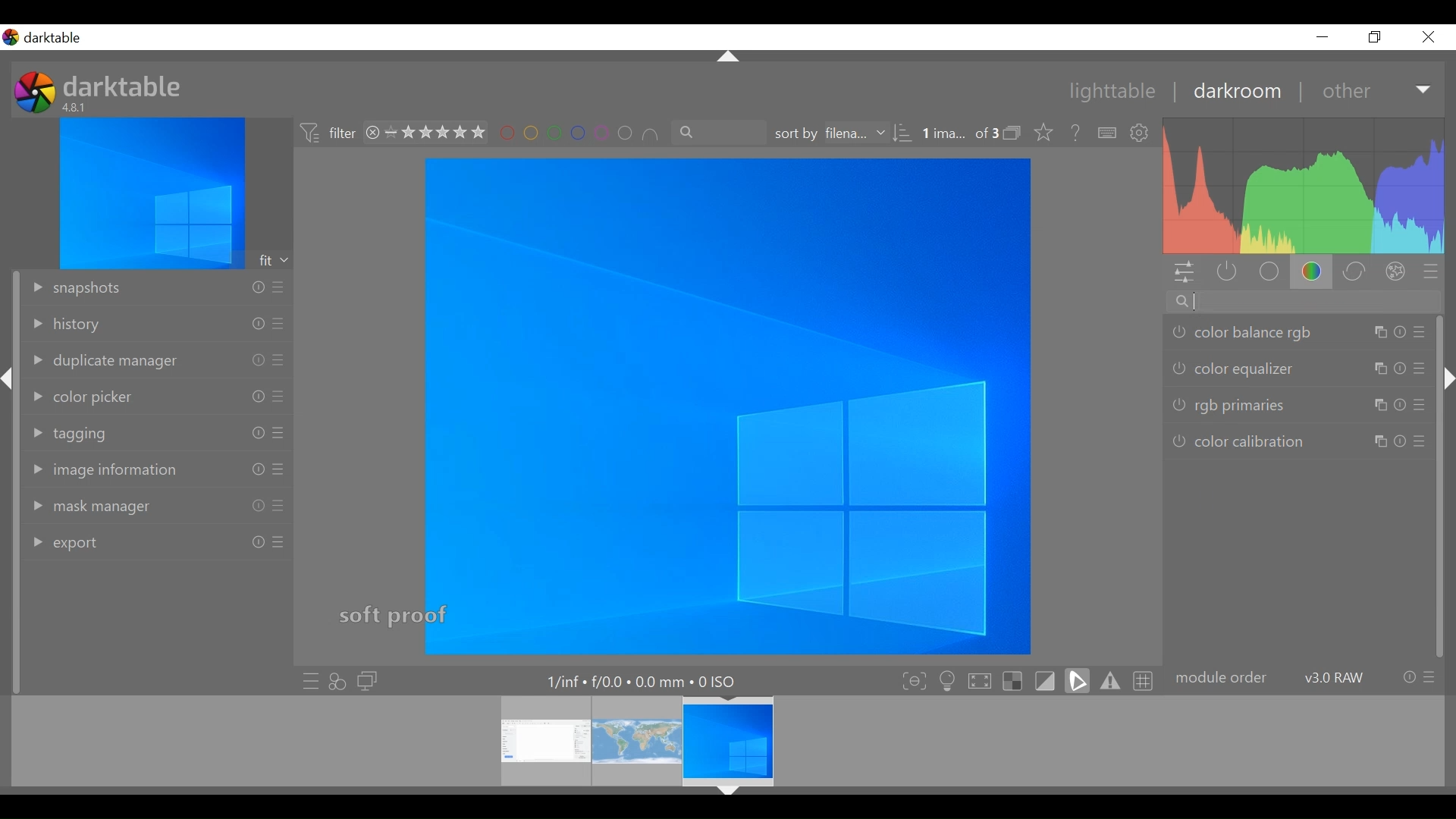  What do you see at coordinates (911, 680) in the screenshot?
I see `toggle focus-peaking mode` at bounding box center [911, 680].